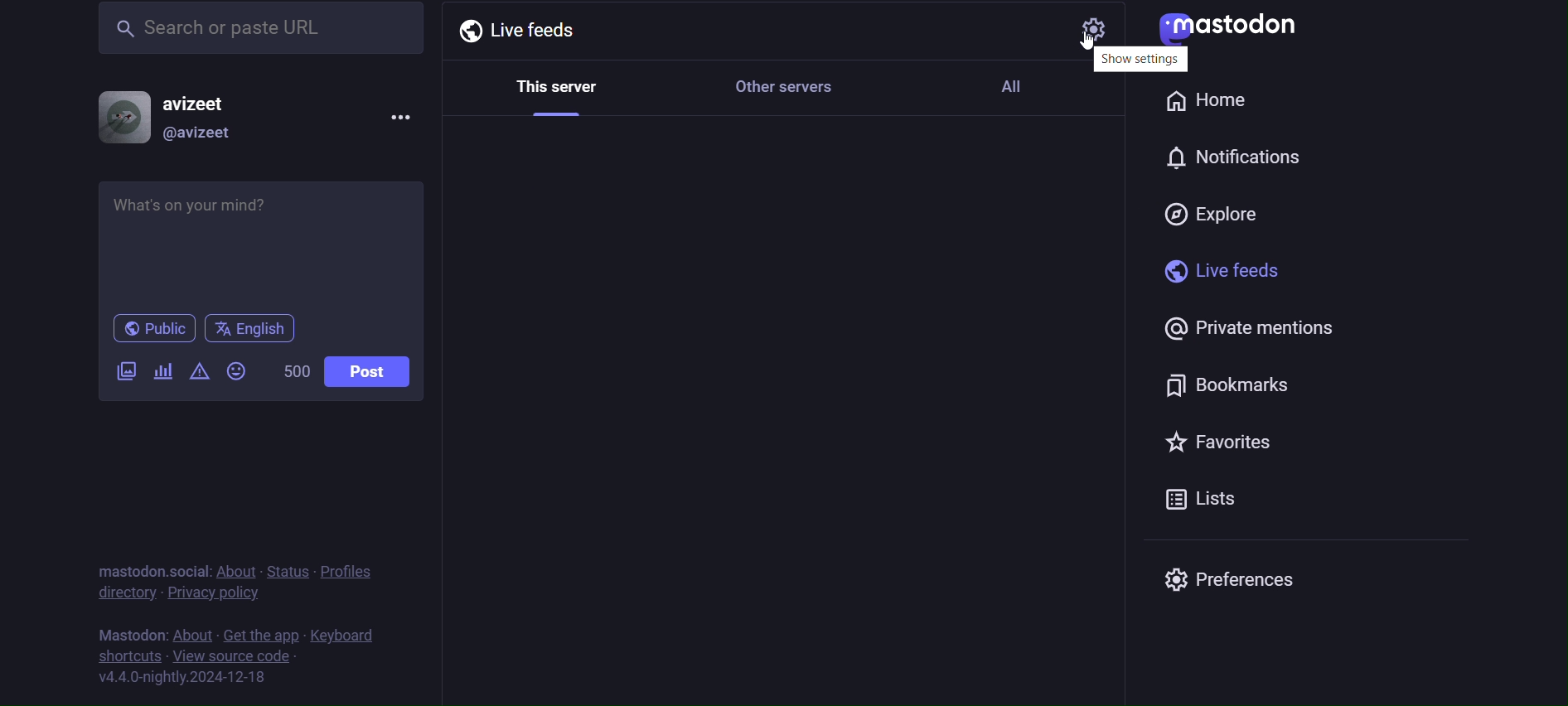 This screenshot has height=706, width=1568. I want to click on public, so click(150, 329).